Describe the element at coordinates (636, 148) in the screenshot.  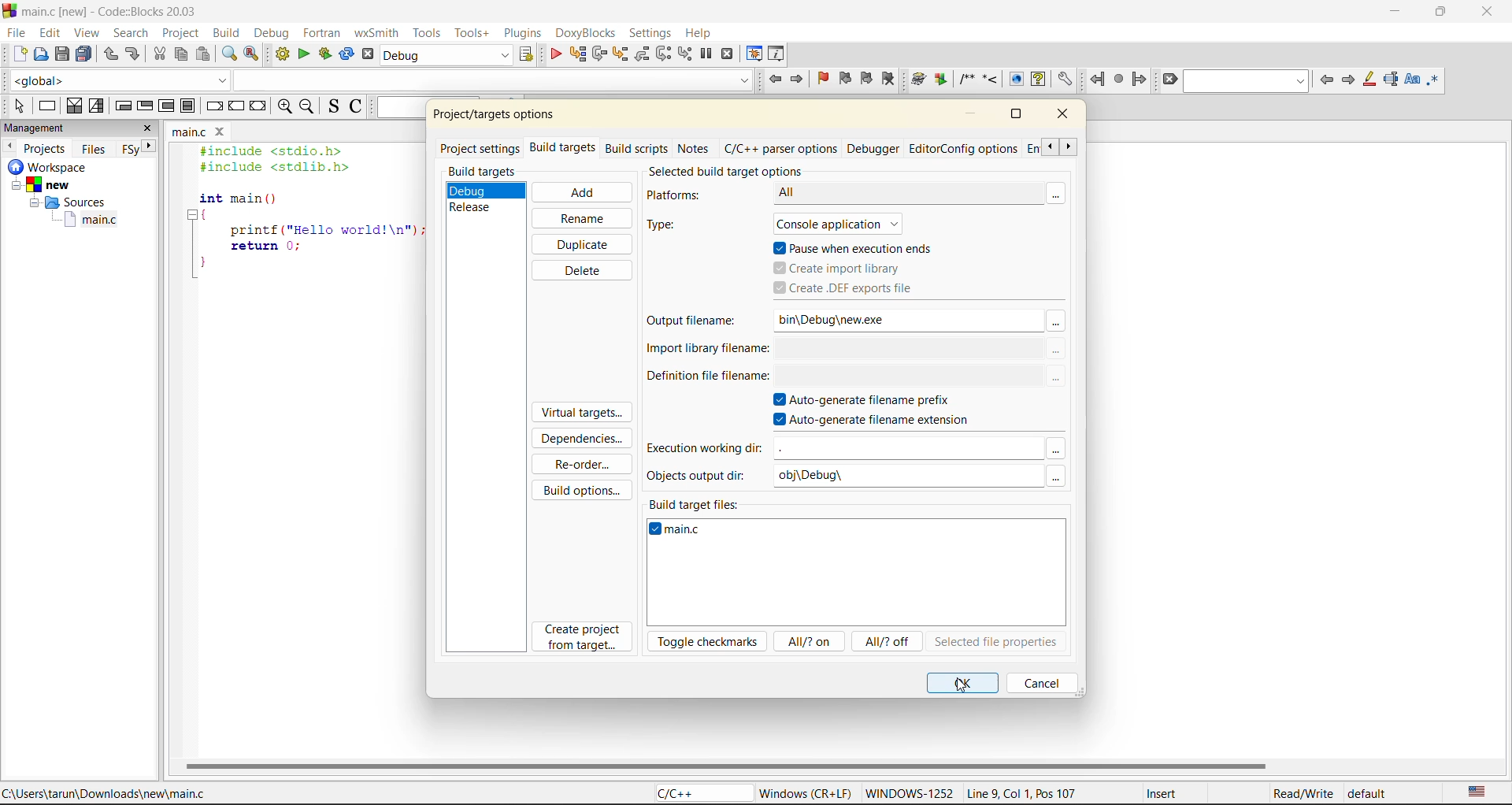
I see `build scripts` at that location.